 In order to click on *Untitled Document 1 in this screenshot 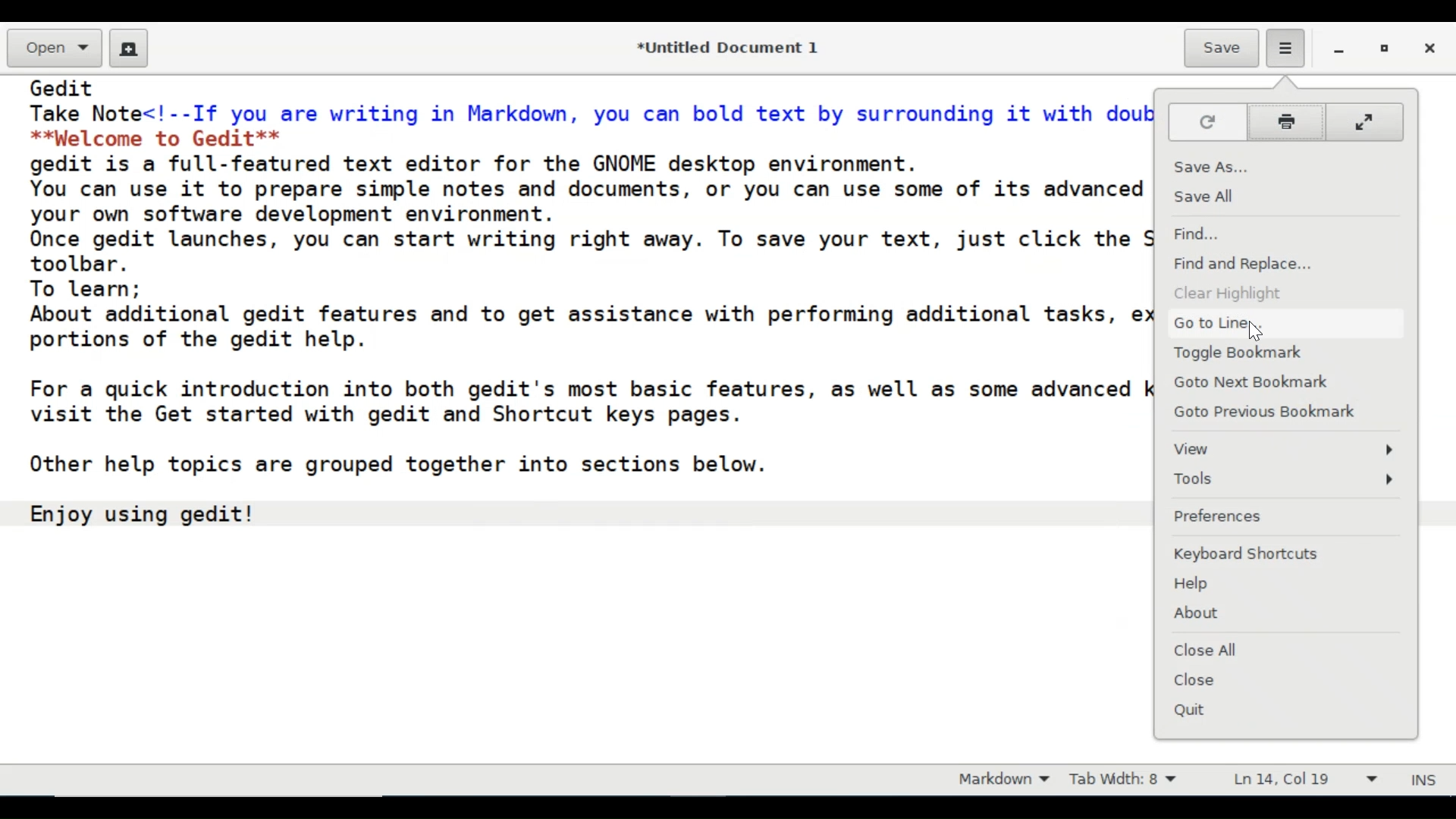, I will do `click(730, 49)`.